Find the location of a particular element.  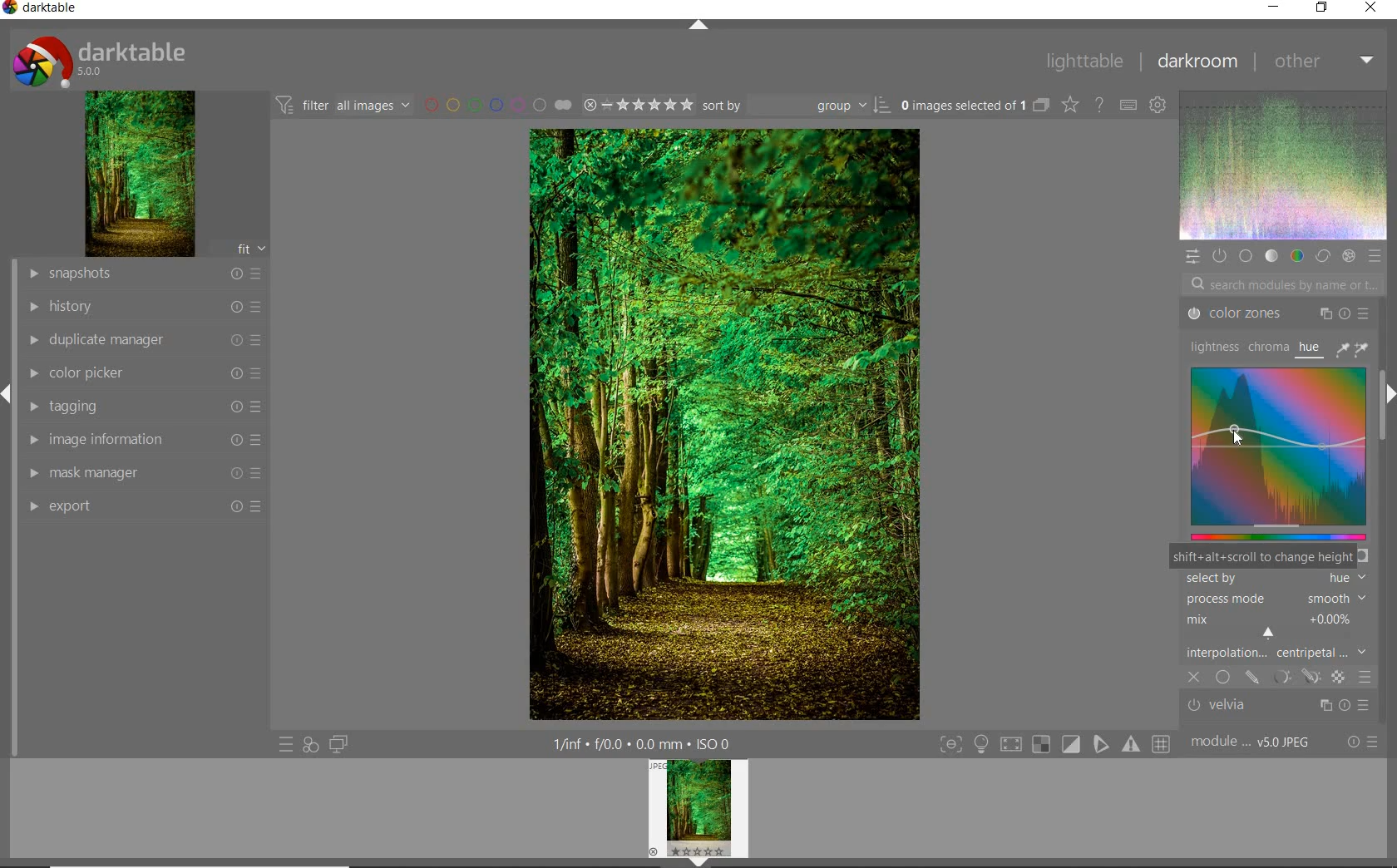

CHANGE TYPE OVERRELAY is located at coordinates (1071, 105).